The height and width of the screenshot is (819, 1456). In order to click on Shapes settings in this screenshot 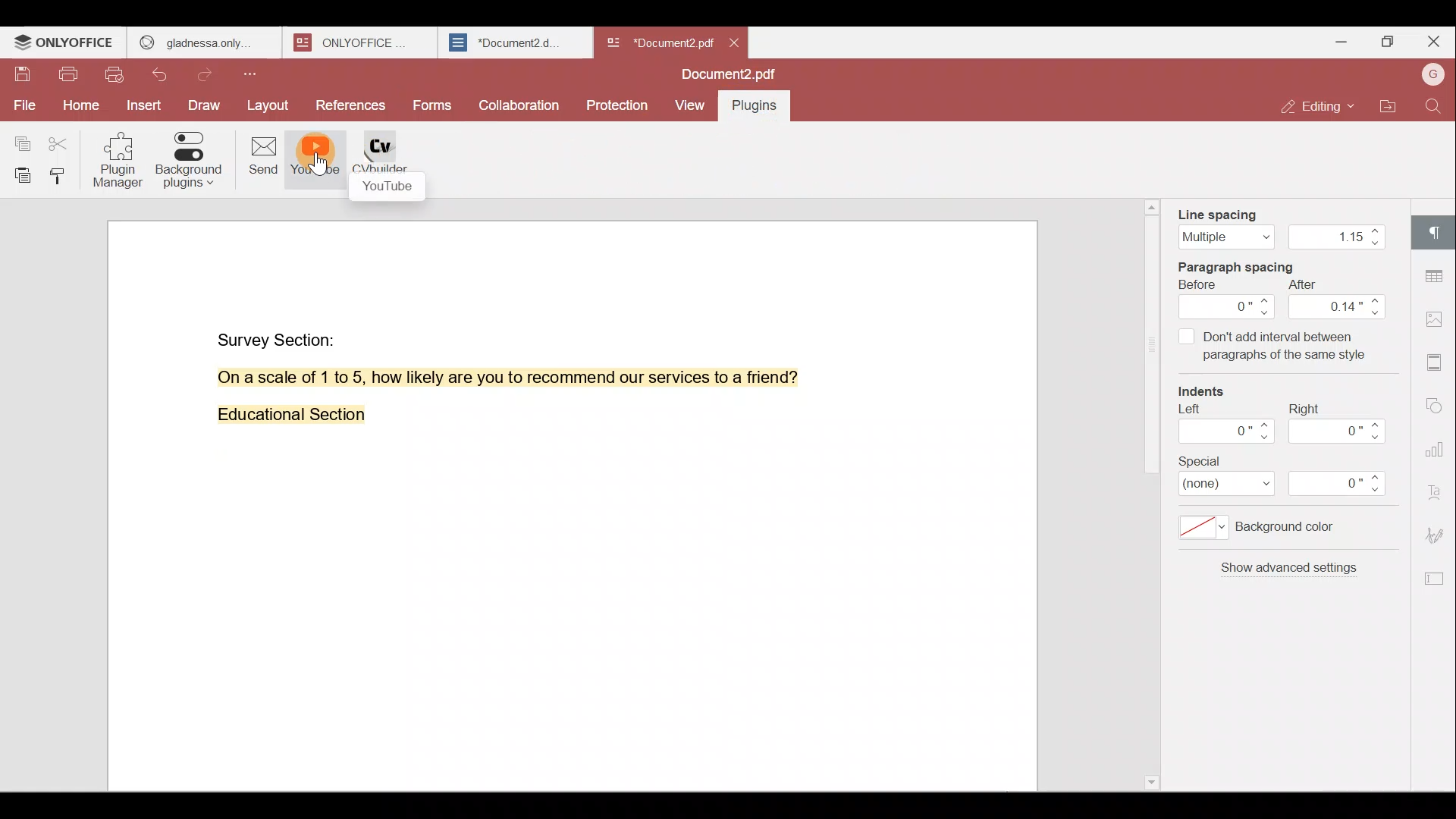, I will do `click(1436, 402)`.